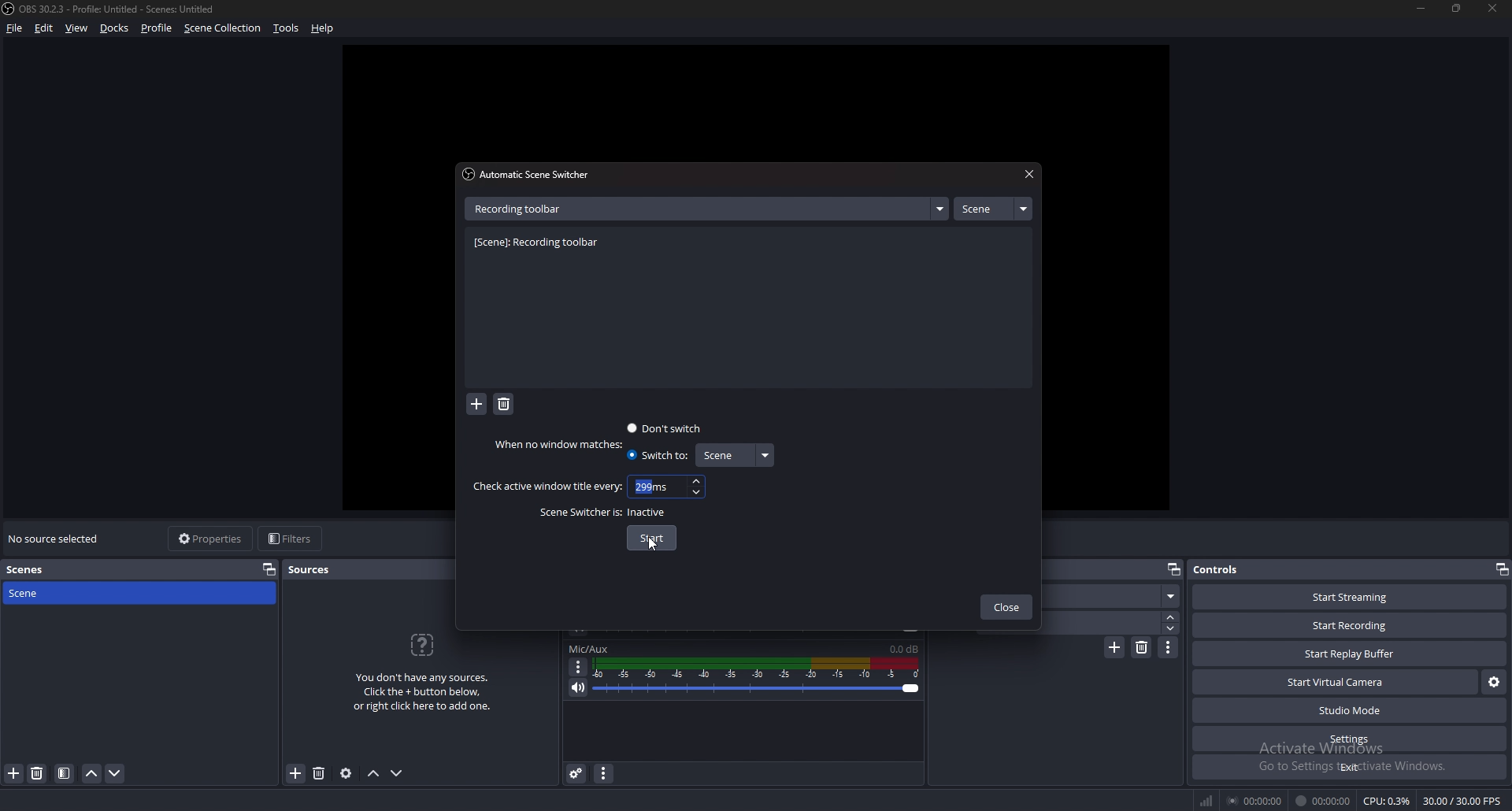 The height and width of the screenshot is (811, 1512). What do you see at coordinates (939, 209) in the screenshot?
I see `expand` at bounding box center [939, 209].